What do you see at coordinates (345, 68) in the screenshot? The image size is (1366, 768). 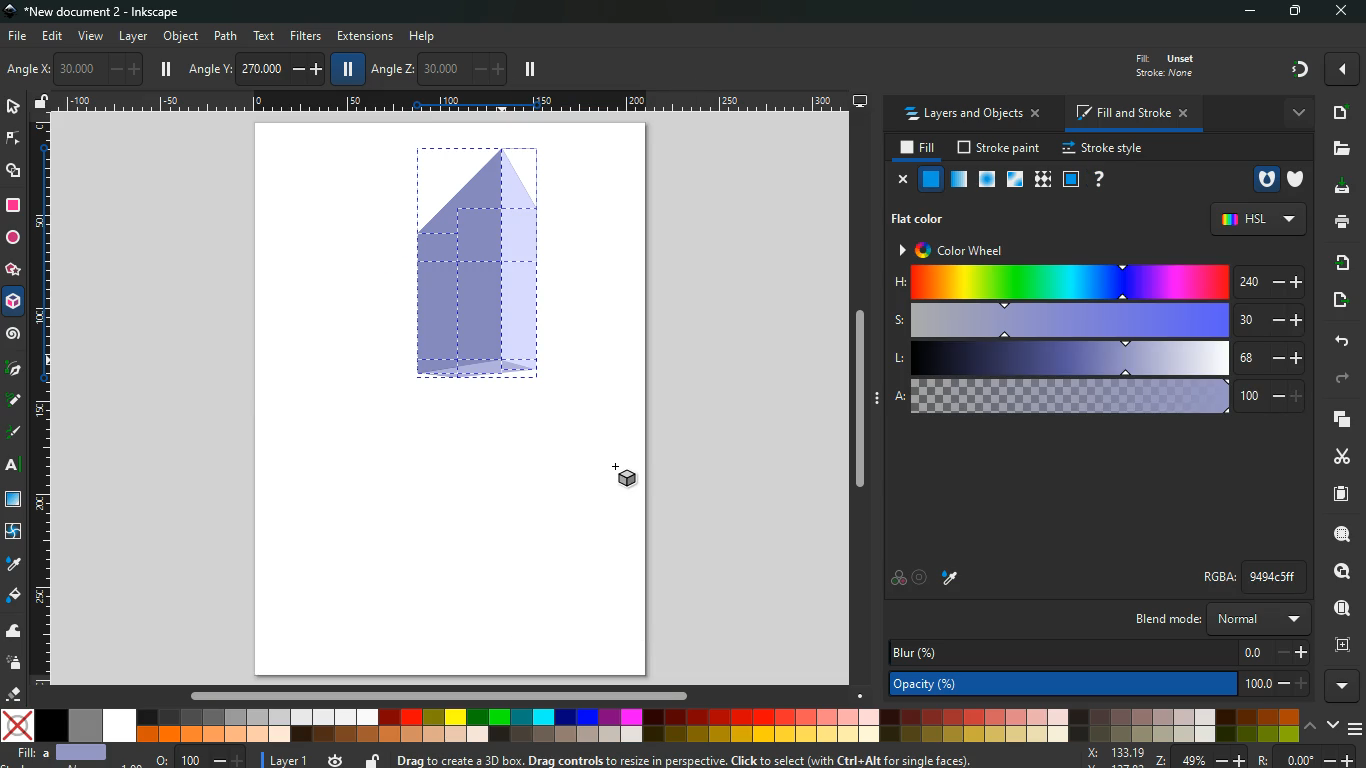 I see `pause` at bounding box center [345, 68].